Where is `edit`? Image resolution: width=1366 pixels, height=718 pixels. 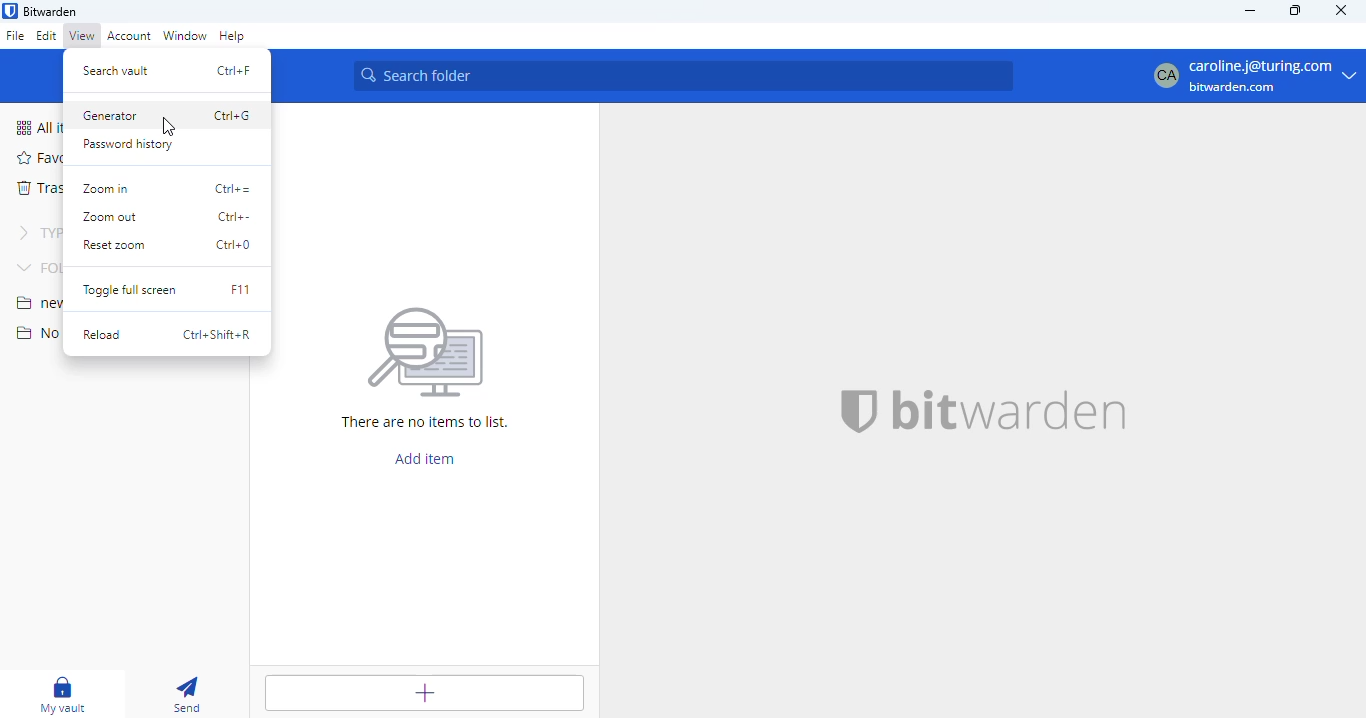
edit is located at coordinates (46, 35).